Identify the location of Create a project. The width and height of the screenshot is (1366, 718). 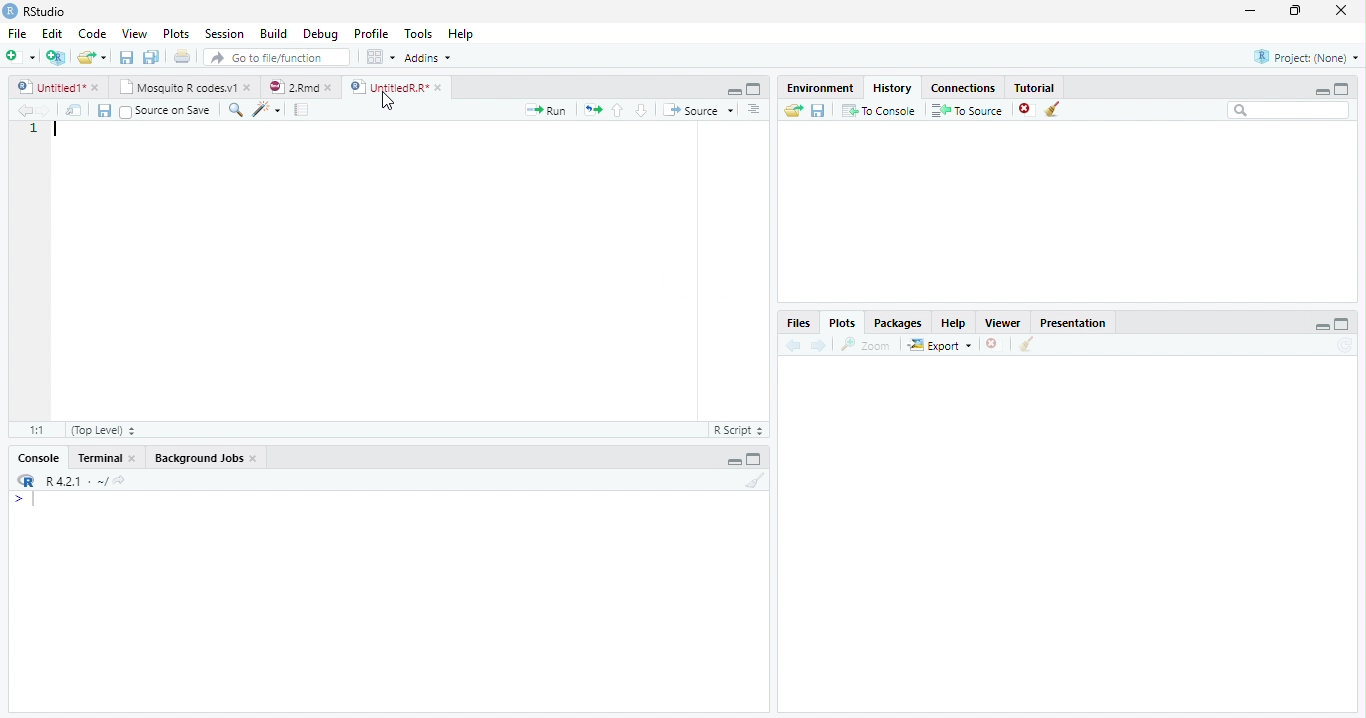
(55, 57).